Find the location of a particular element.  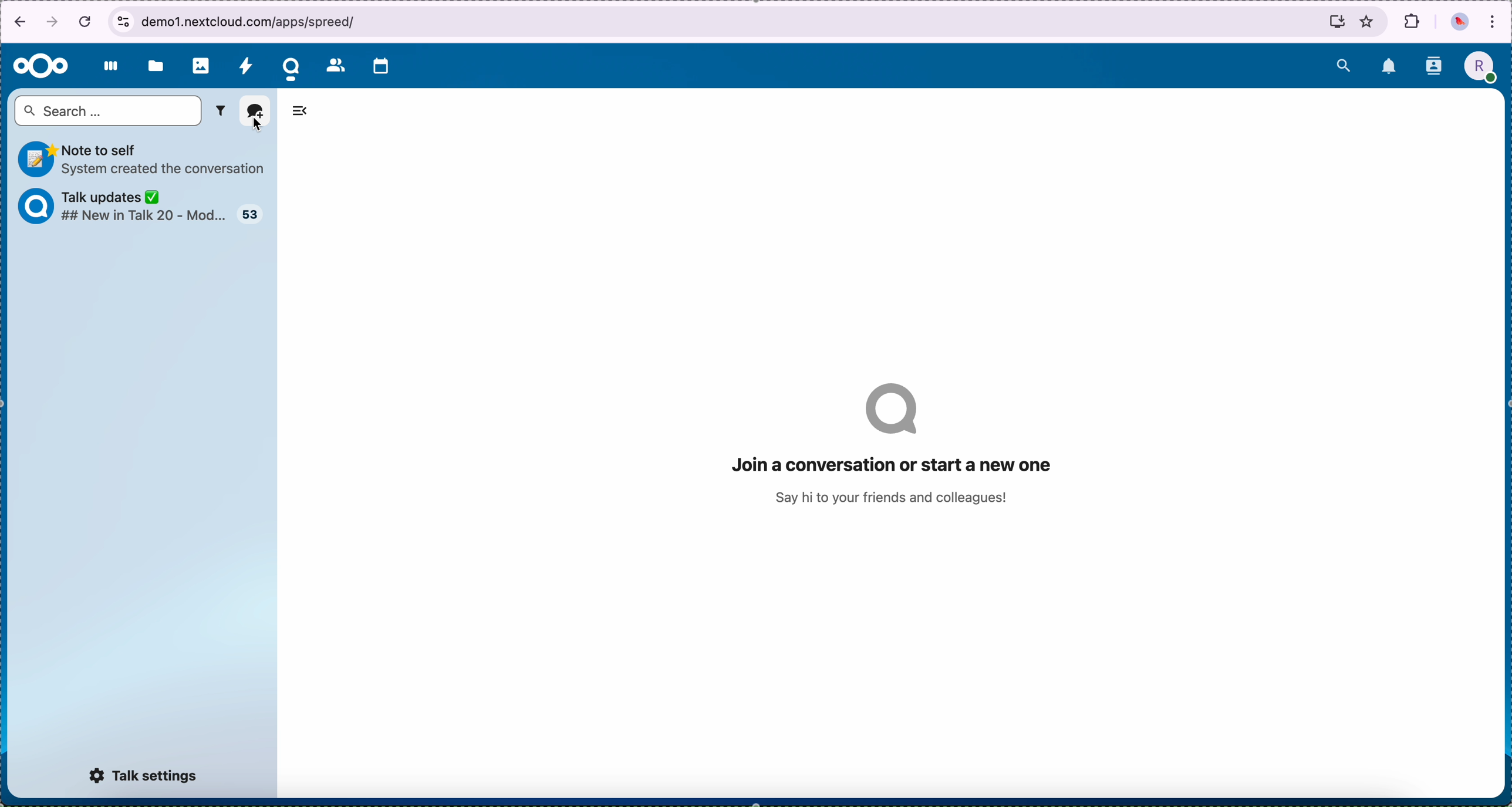

contacts is located at coordinates (333, 63).